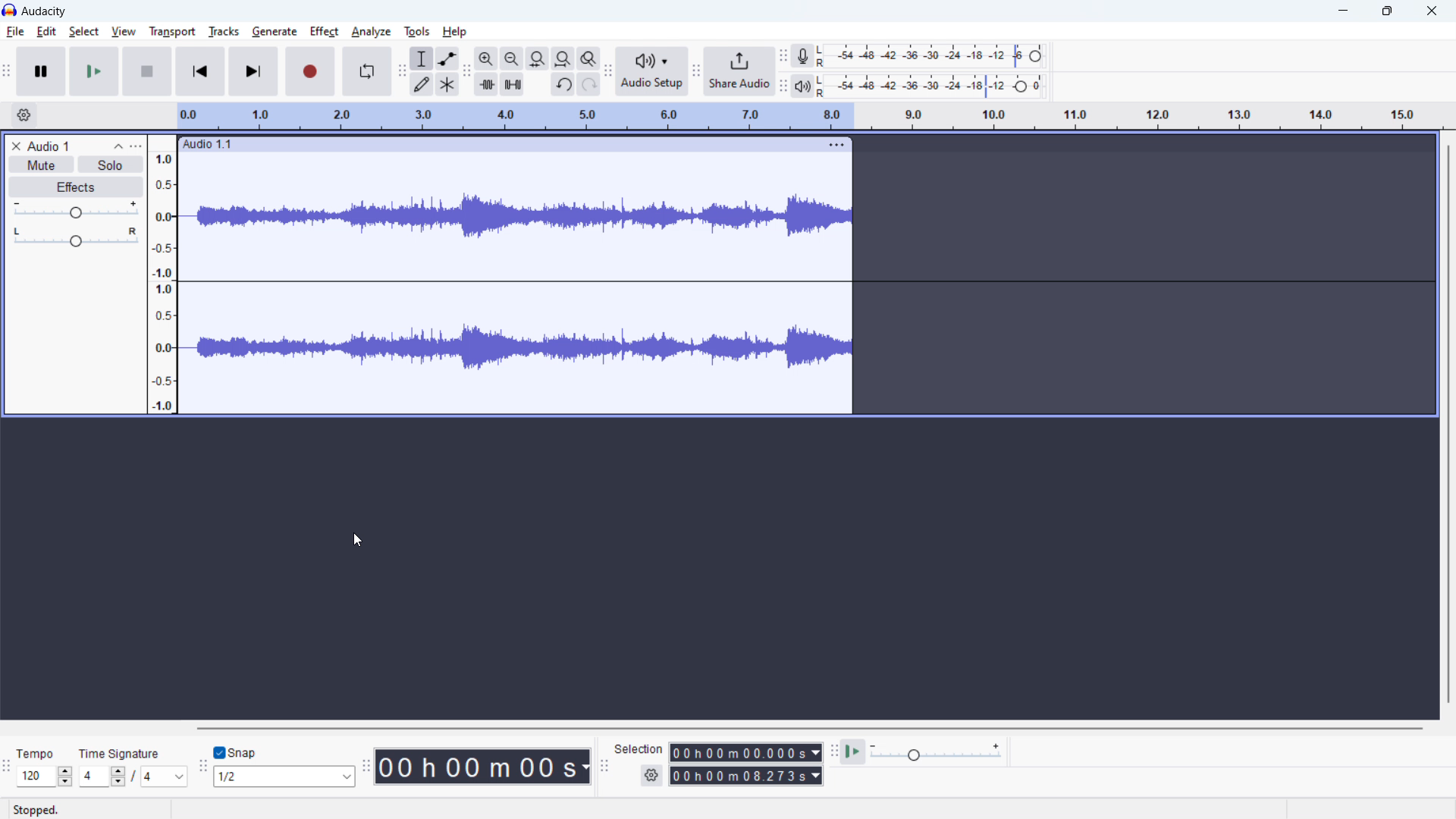 This screenshot has width=1456, height=819. Describe the element at coordinates (486, 85) in the screenshot. I see `trim audio outside selection` at that location.